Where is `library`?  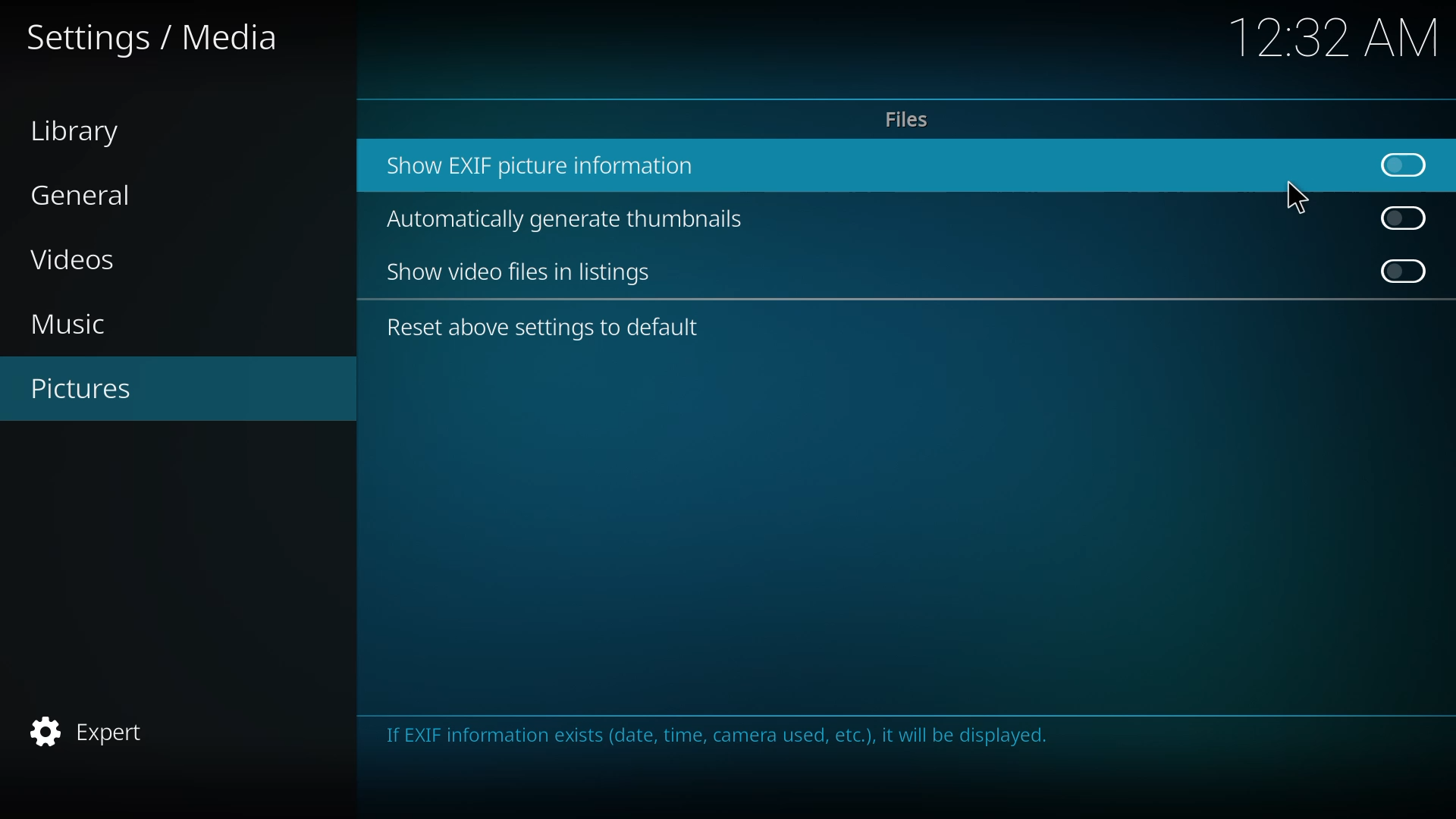 library is located at coordinates (85, 130).